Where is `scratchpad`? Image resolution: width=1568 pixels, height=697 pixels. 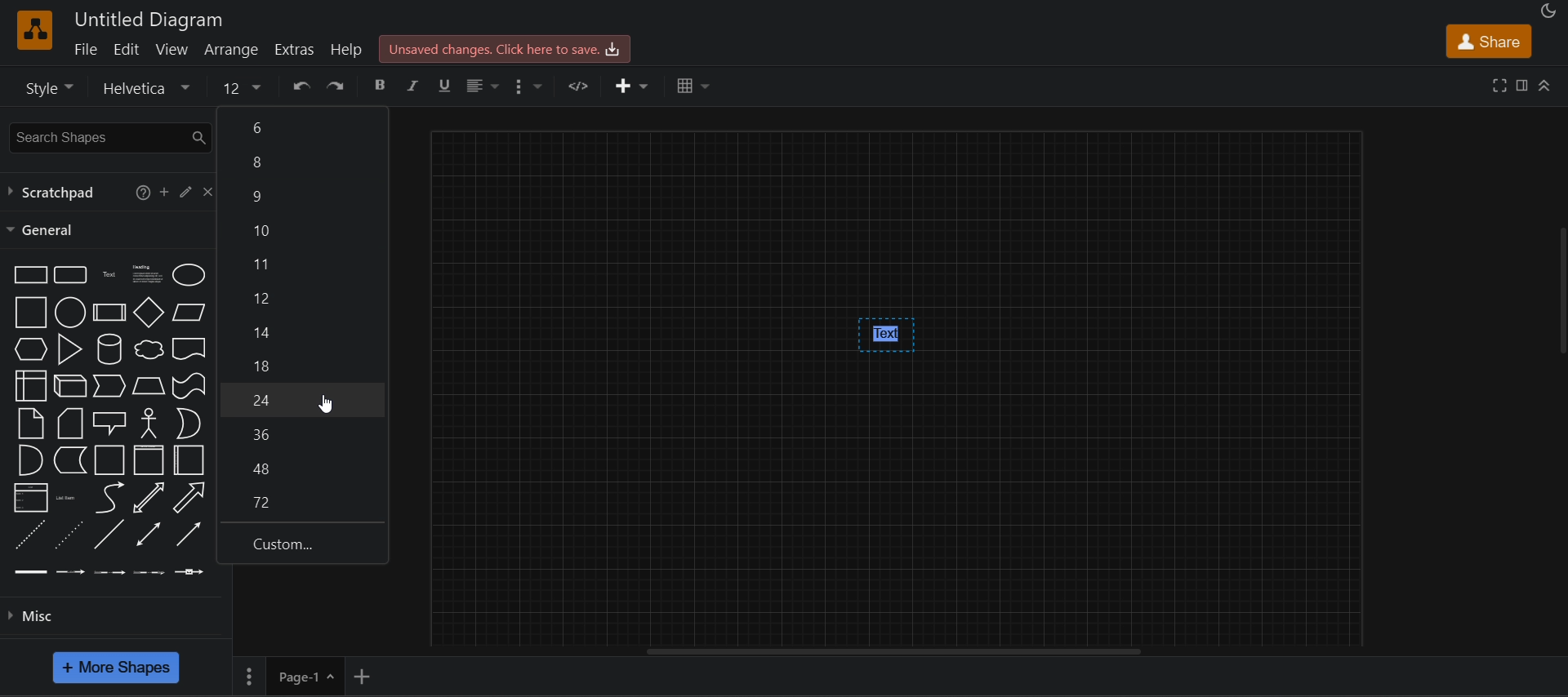
scratchpad is located at coordinates (54, 192).